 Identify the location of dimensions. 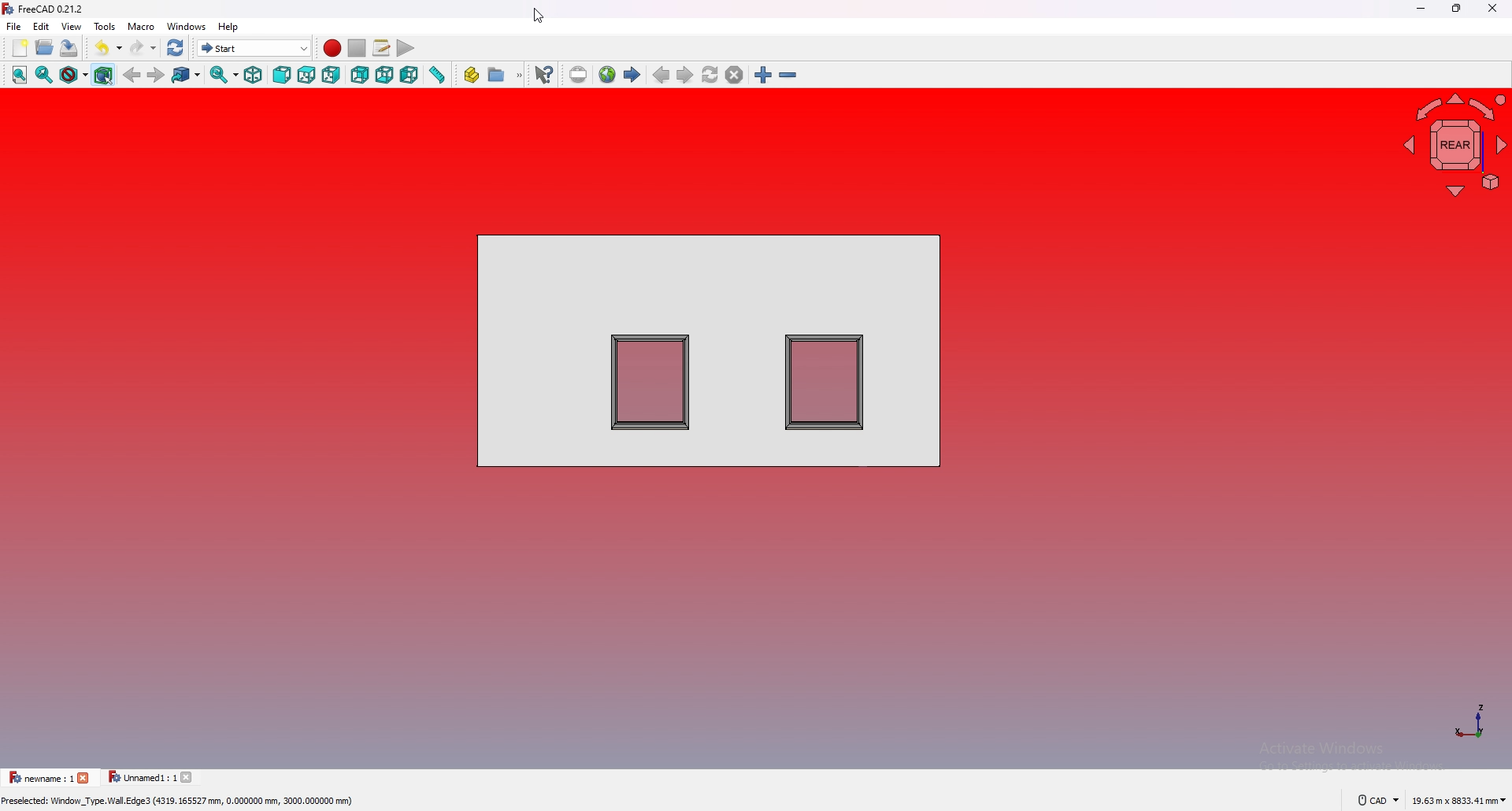
(1459, 802).